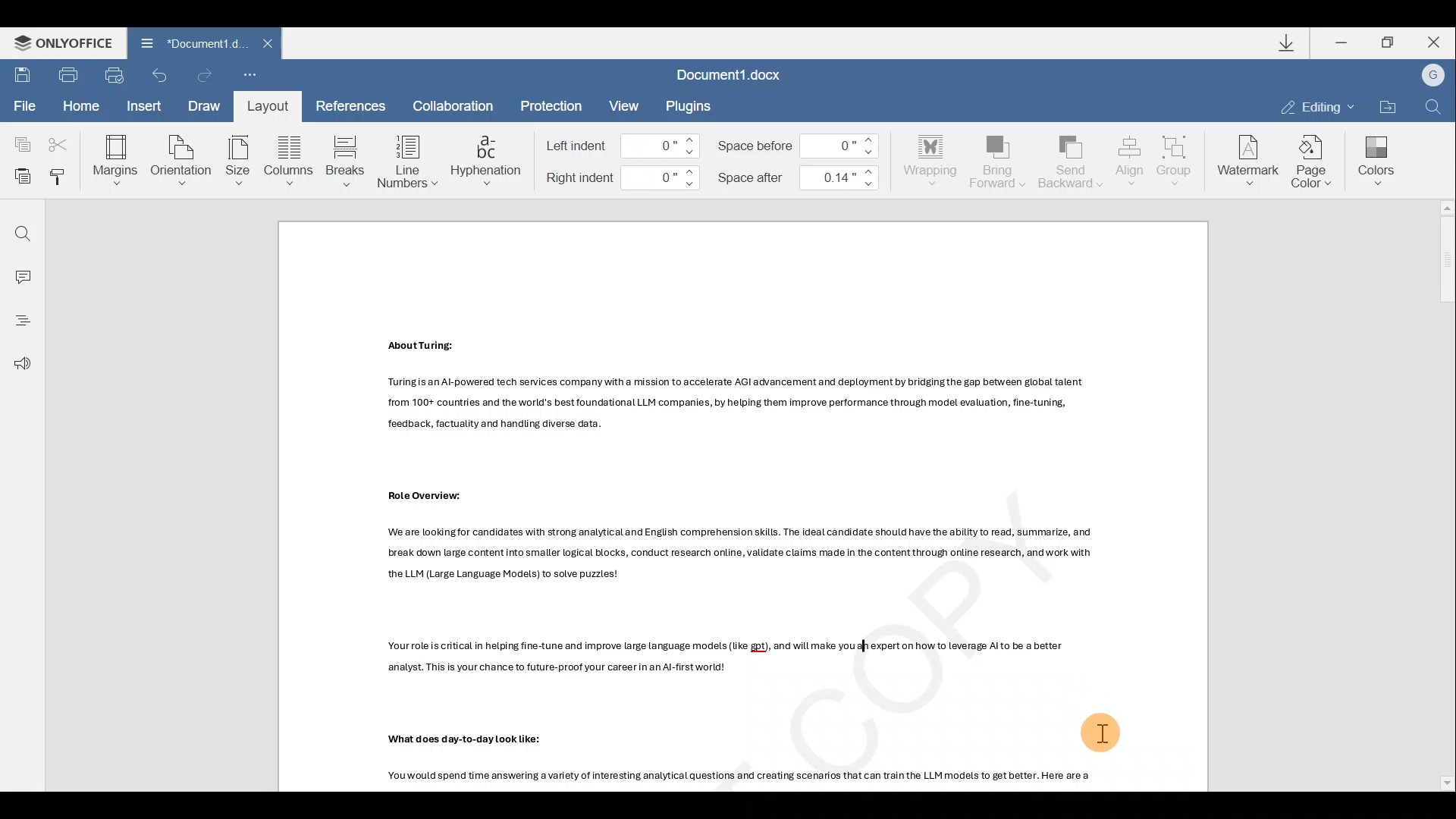 The width and height of the screenshot is (1456, 819). I want to click on Cut, so click(58, 142).